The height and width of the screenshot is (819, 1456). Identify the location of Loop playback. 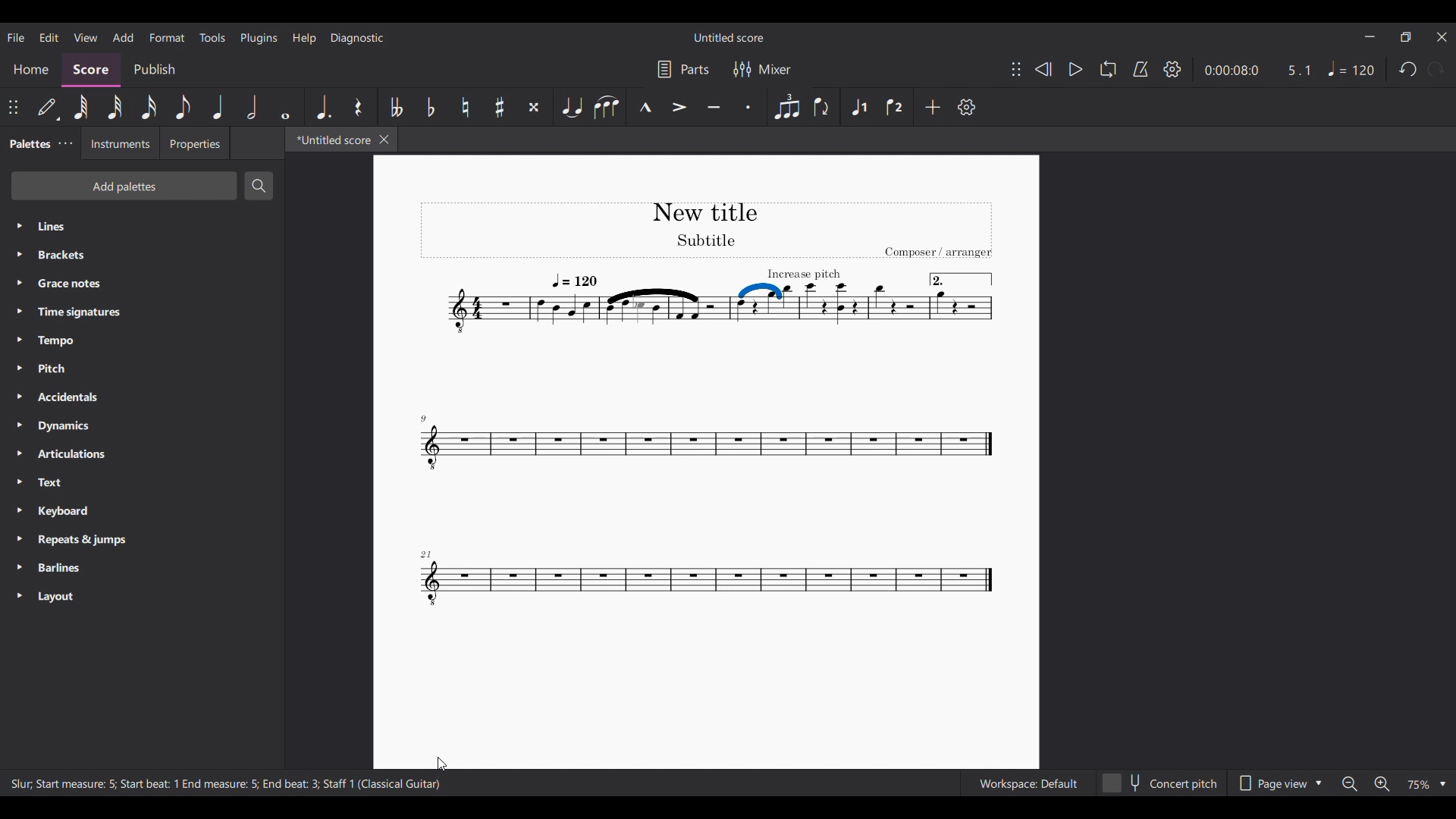
(1108, 69).